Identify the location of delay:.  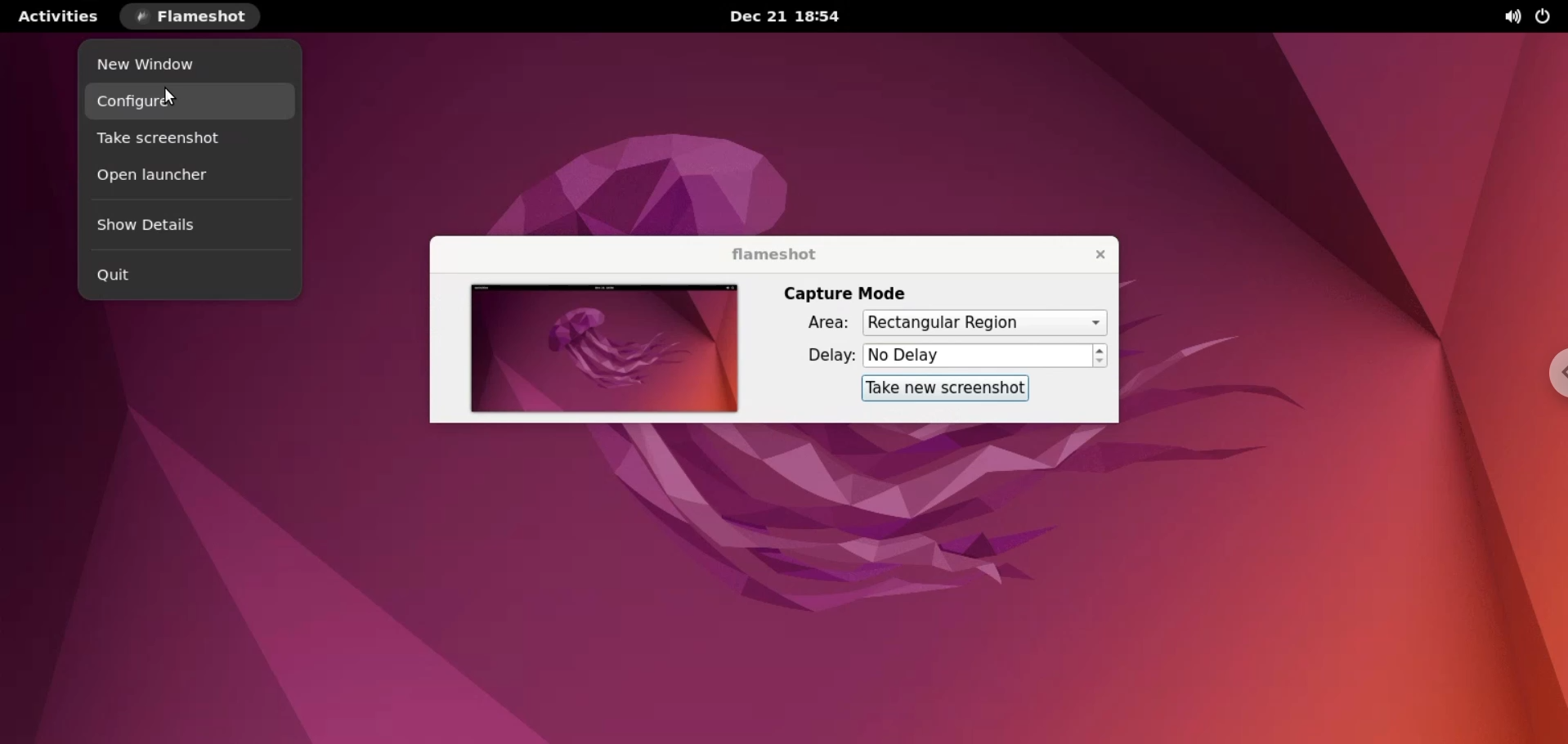
(818, 359).